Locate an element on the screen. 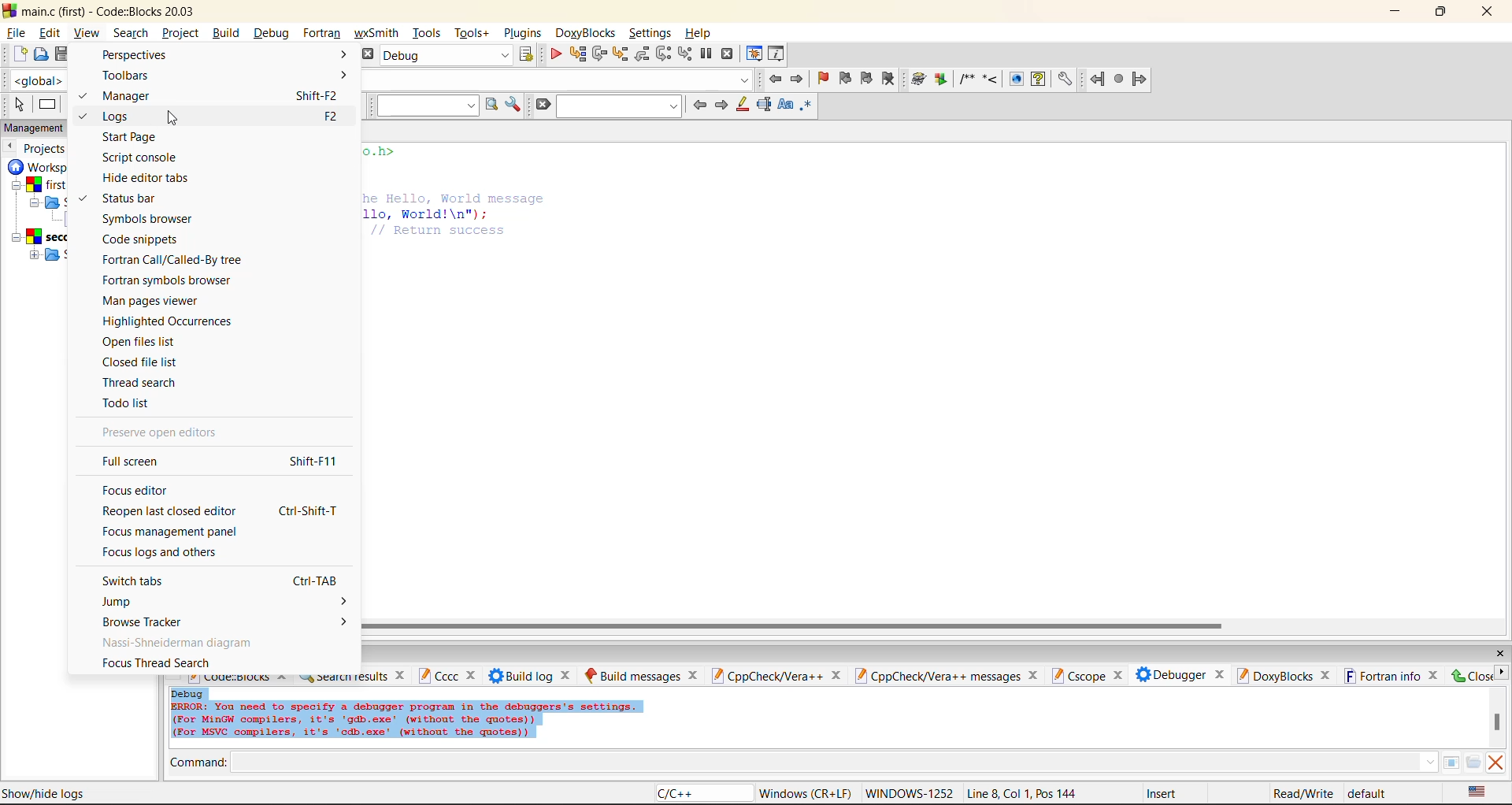 This screenshot has width=1512, height=805. doxyblocks is located at coordinates (1285, 676).